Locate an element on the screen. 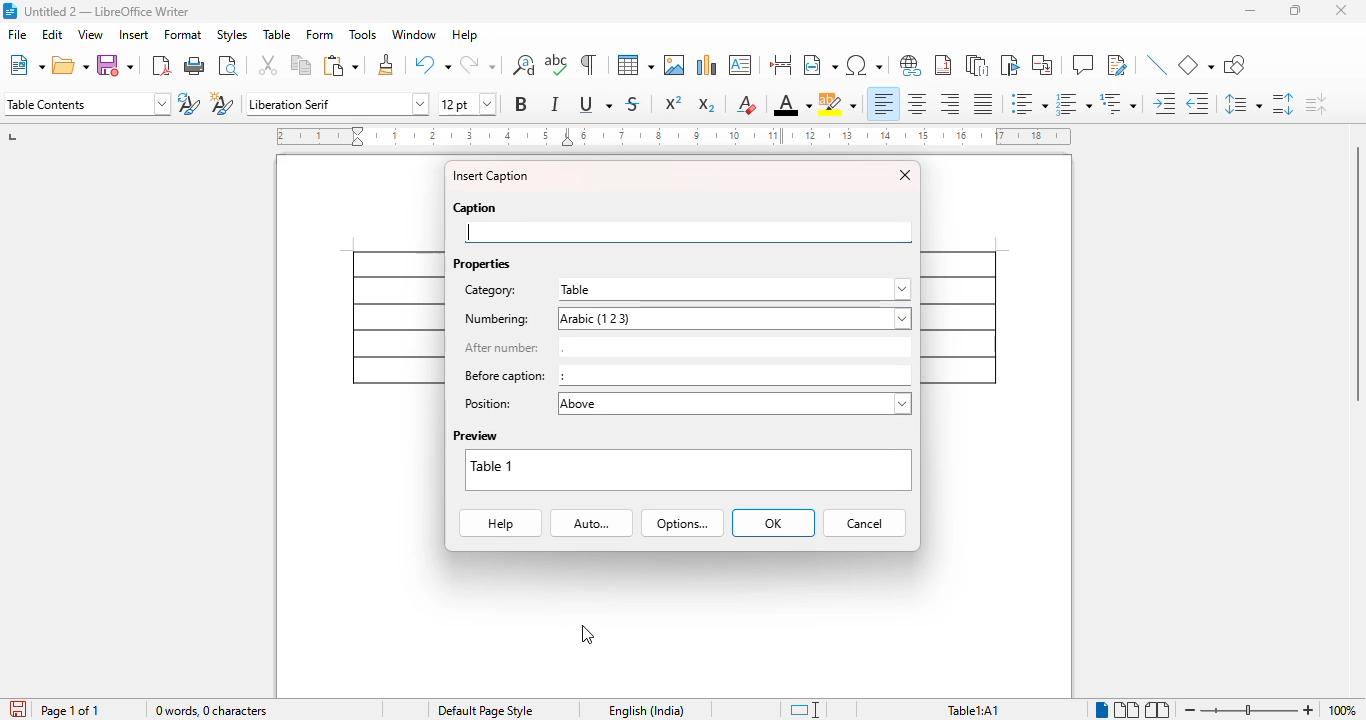 The height and width of the screenshot is (720, 1366). close is located at coordinates (906, 175).